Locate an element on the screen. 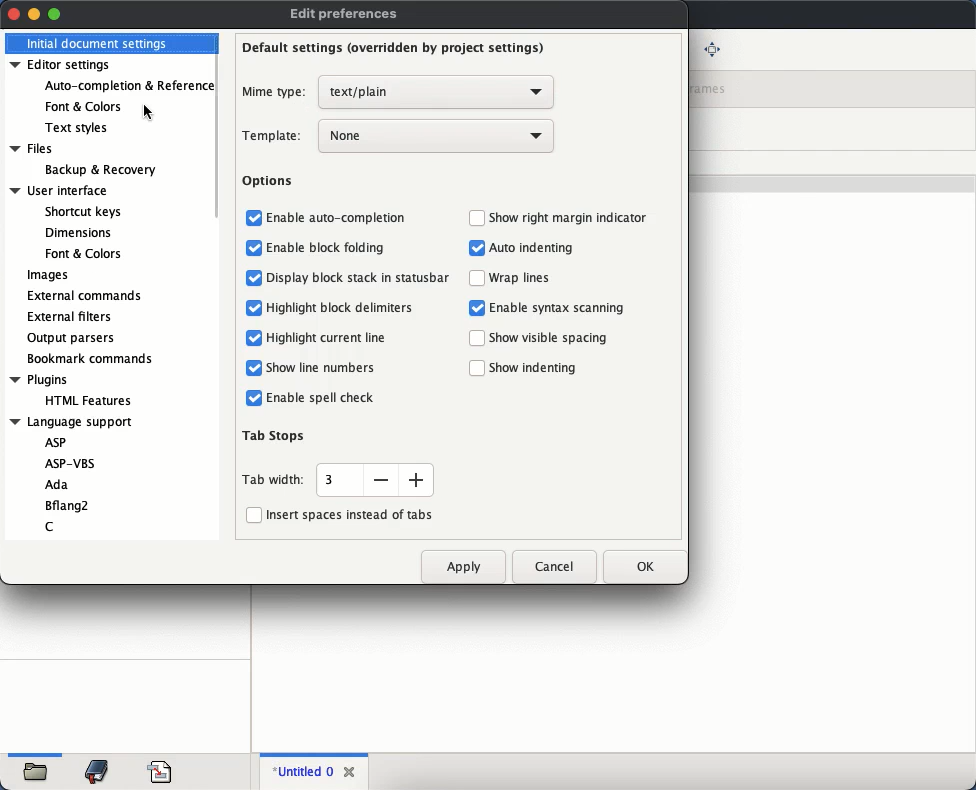 This screenshot has height=790, width=976. auto indenting is located at coordinates (520, 248).